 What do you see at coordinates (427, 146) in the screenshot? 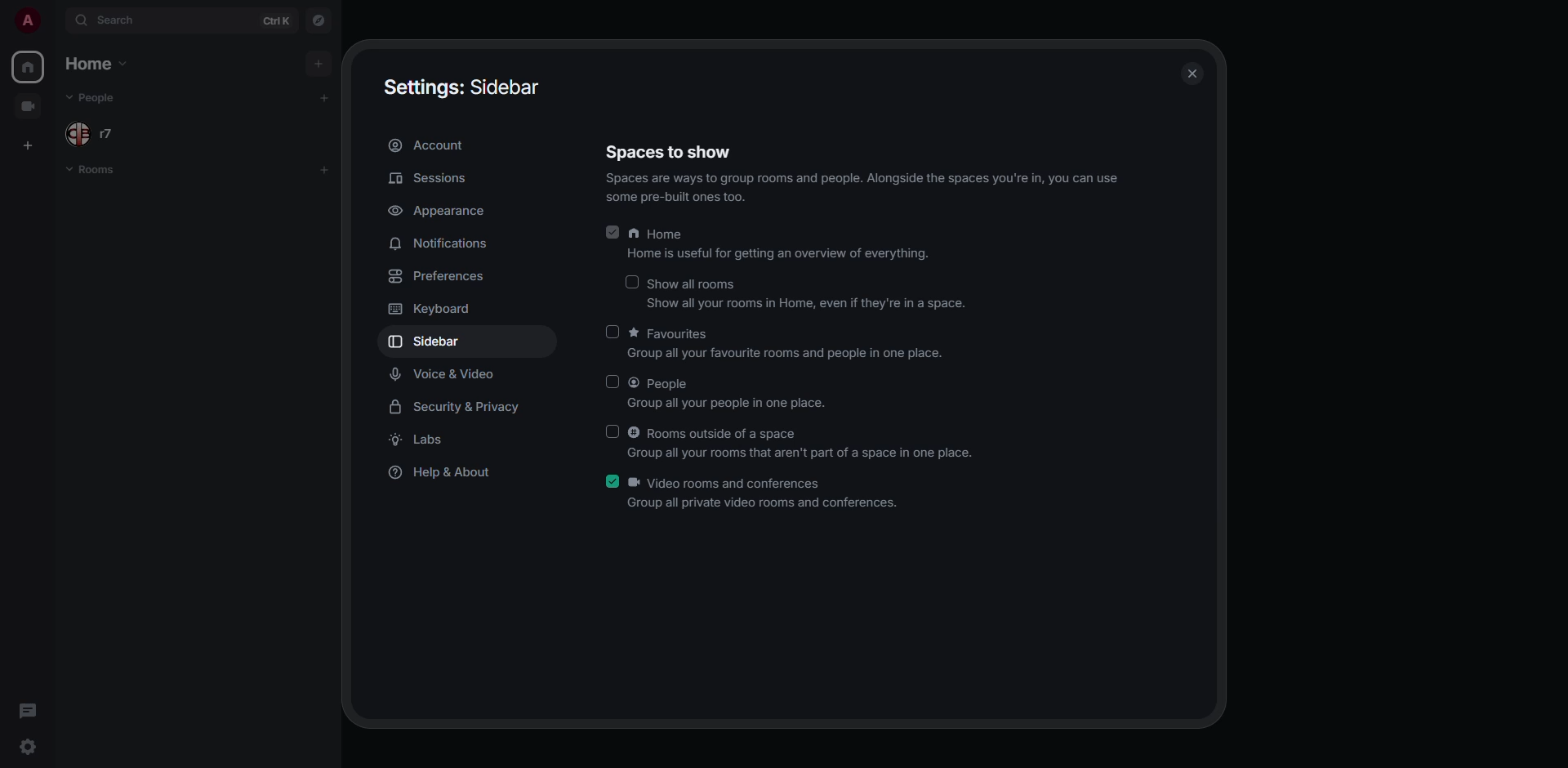
I see `account` at bounding box center [427, 146].